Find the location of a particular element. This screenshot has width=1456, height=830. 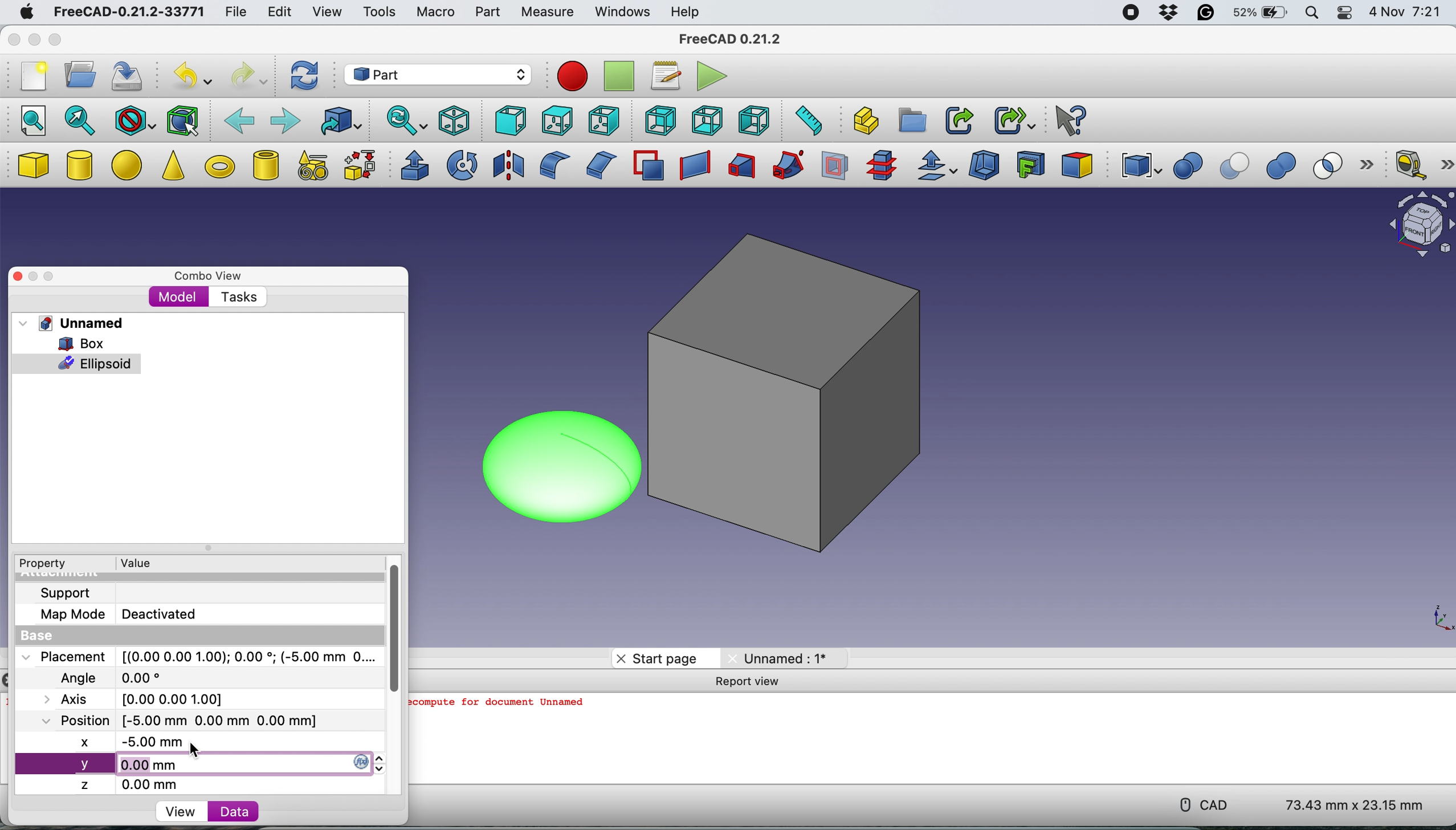

73.43 mm x 23.15 mm is located at coordinates (1357, 806).